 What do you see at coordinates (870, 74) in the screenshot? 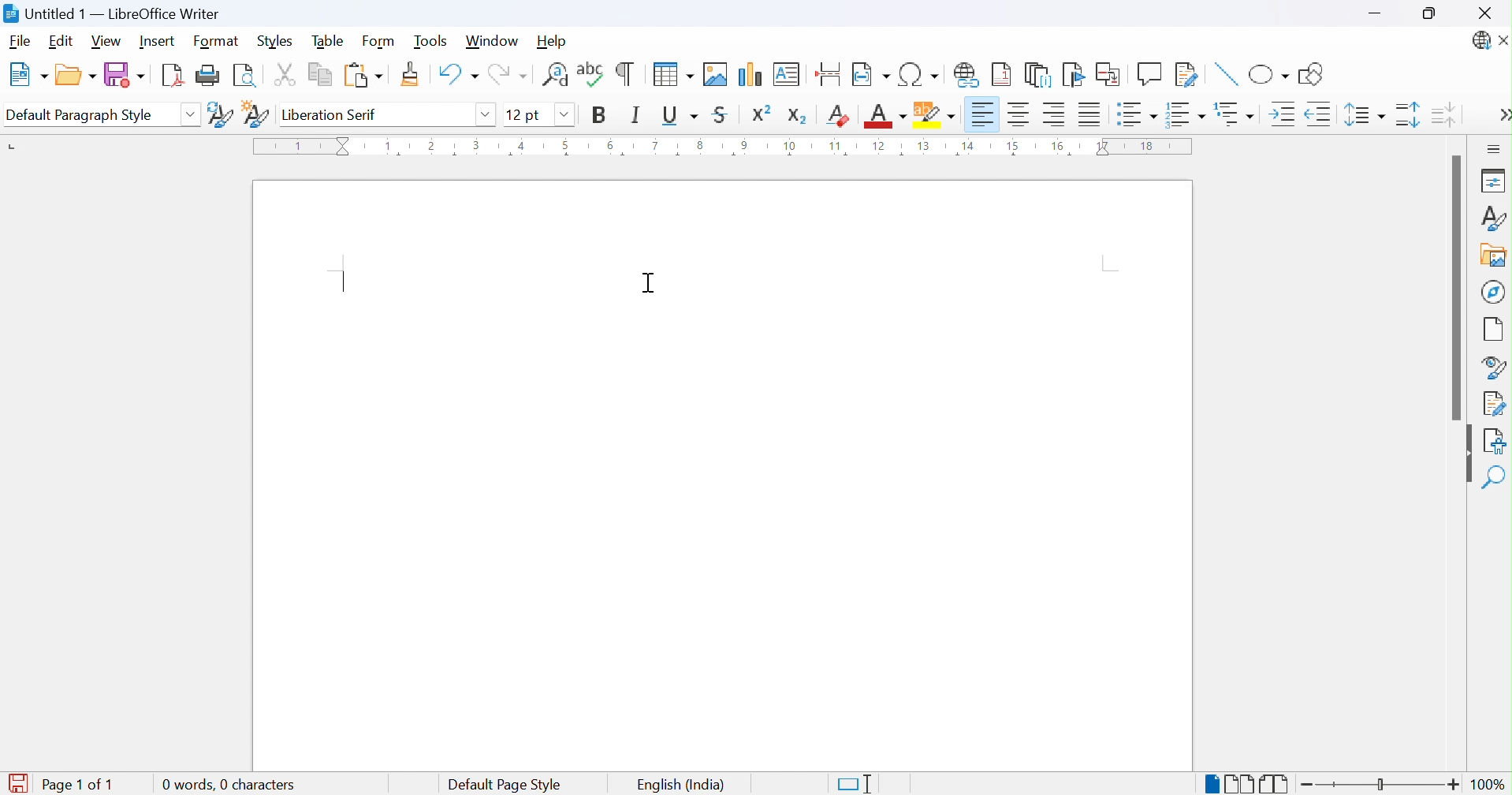
I see `Insert page field` at bounding box center [870, 74].